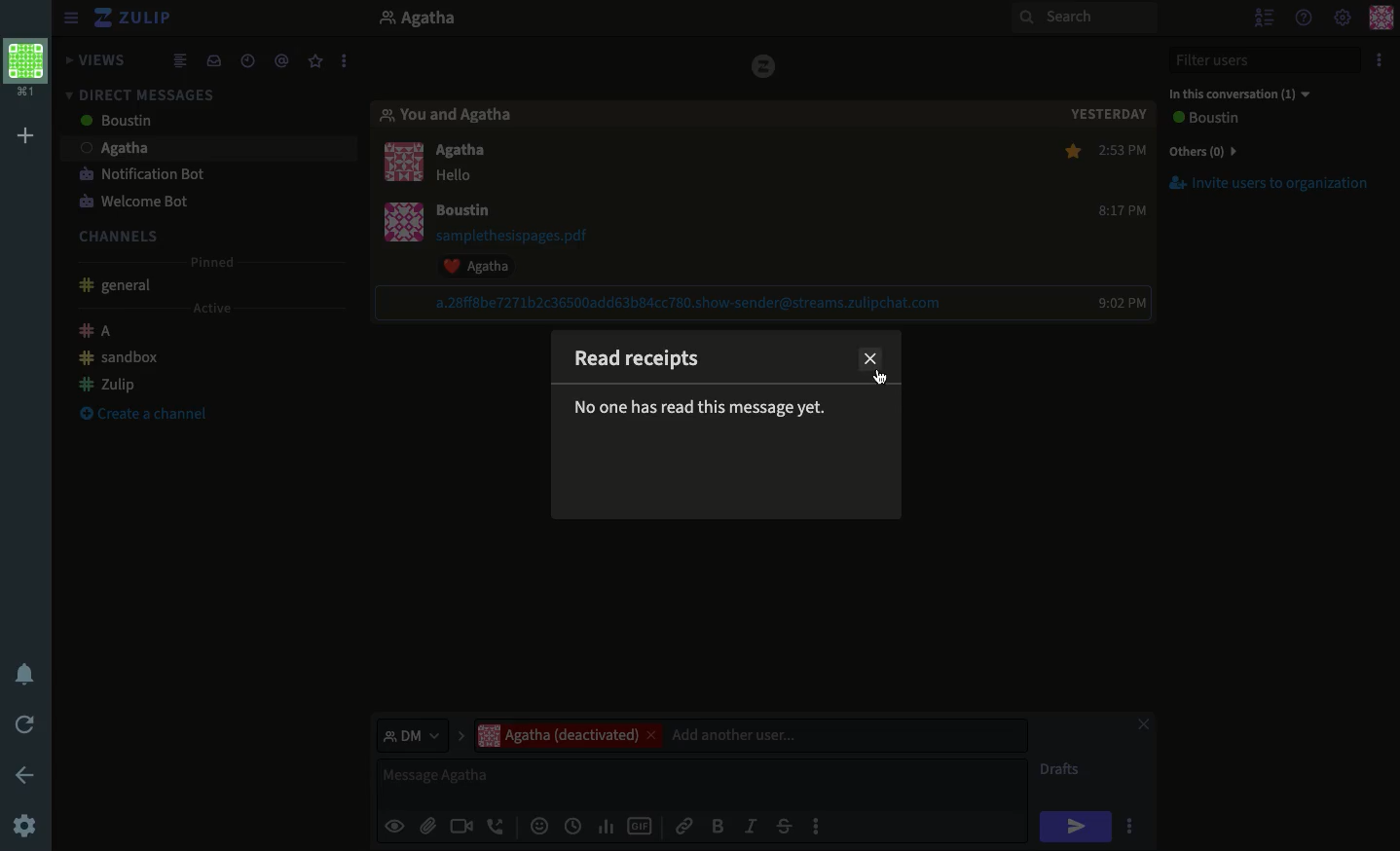 Image resolution: width=1400 pixels, height=851 pixels. What do you see at coordinates (316, 62) in the screenshot?
I see `Favorite` at bounding box center [316, 62].